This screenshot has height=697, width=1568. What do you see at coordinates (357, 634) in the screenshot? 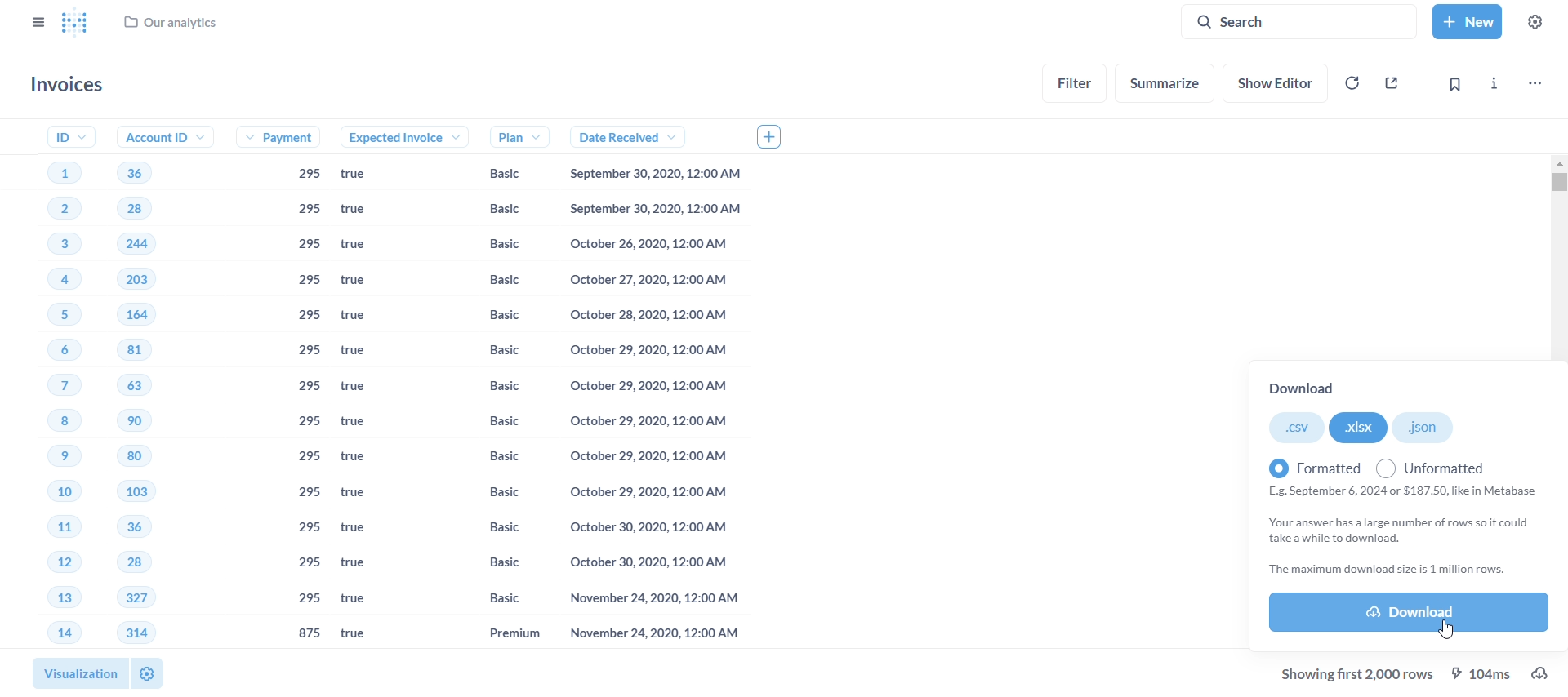
I see `true` at bounding box center [357, 634].